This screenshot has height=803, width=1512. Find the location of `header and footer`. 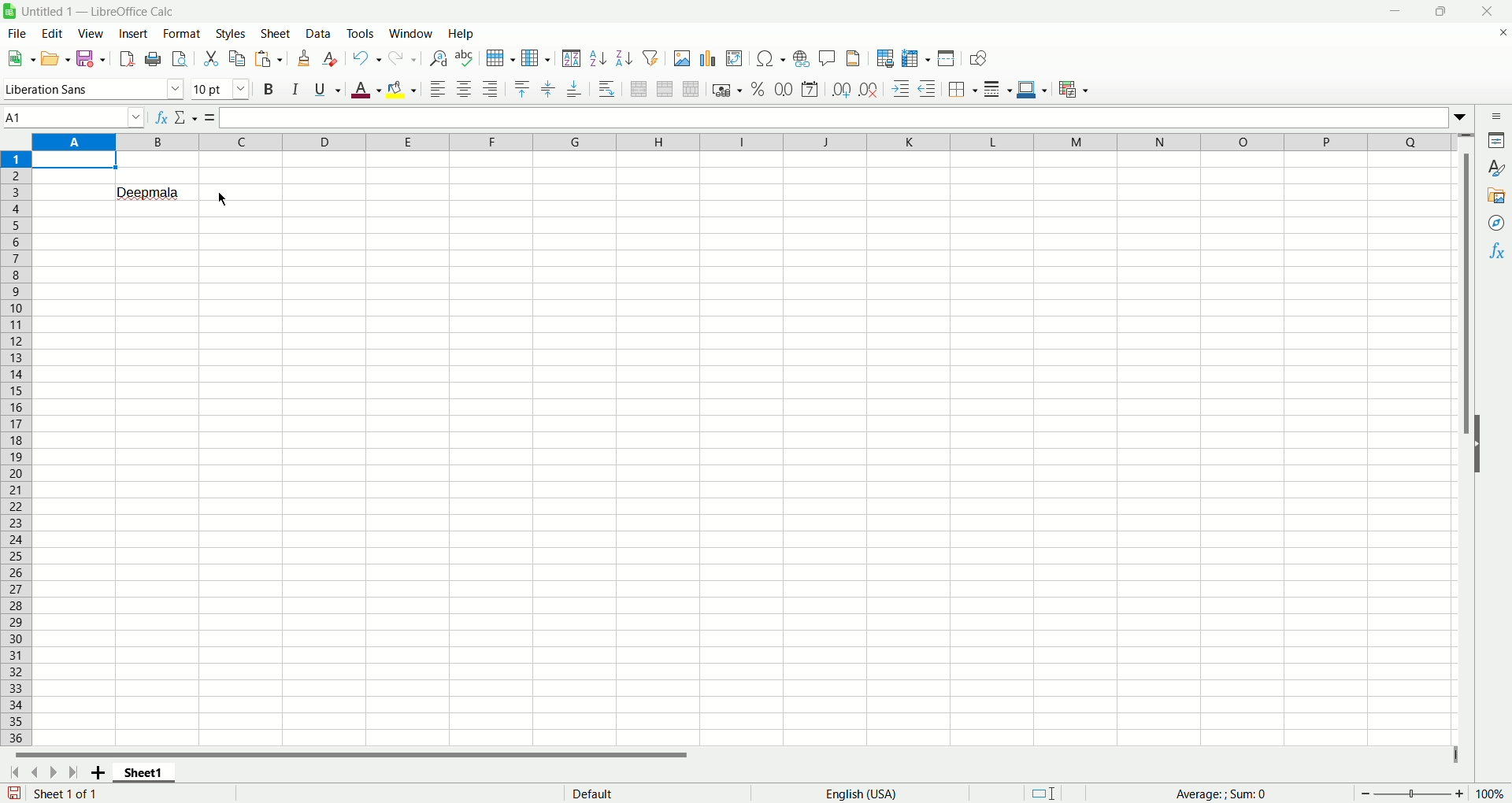

header and footer is located at coordinates (854, 57).